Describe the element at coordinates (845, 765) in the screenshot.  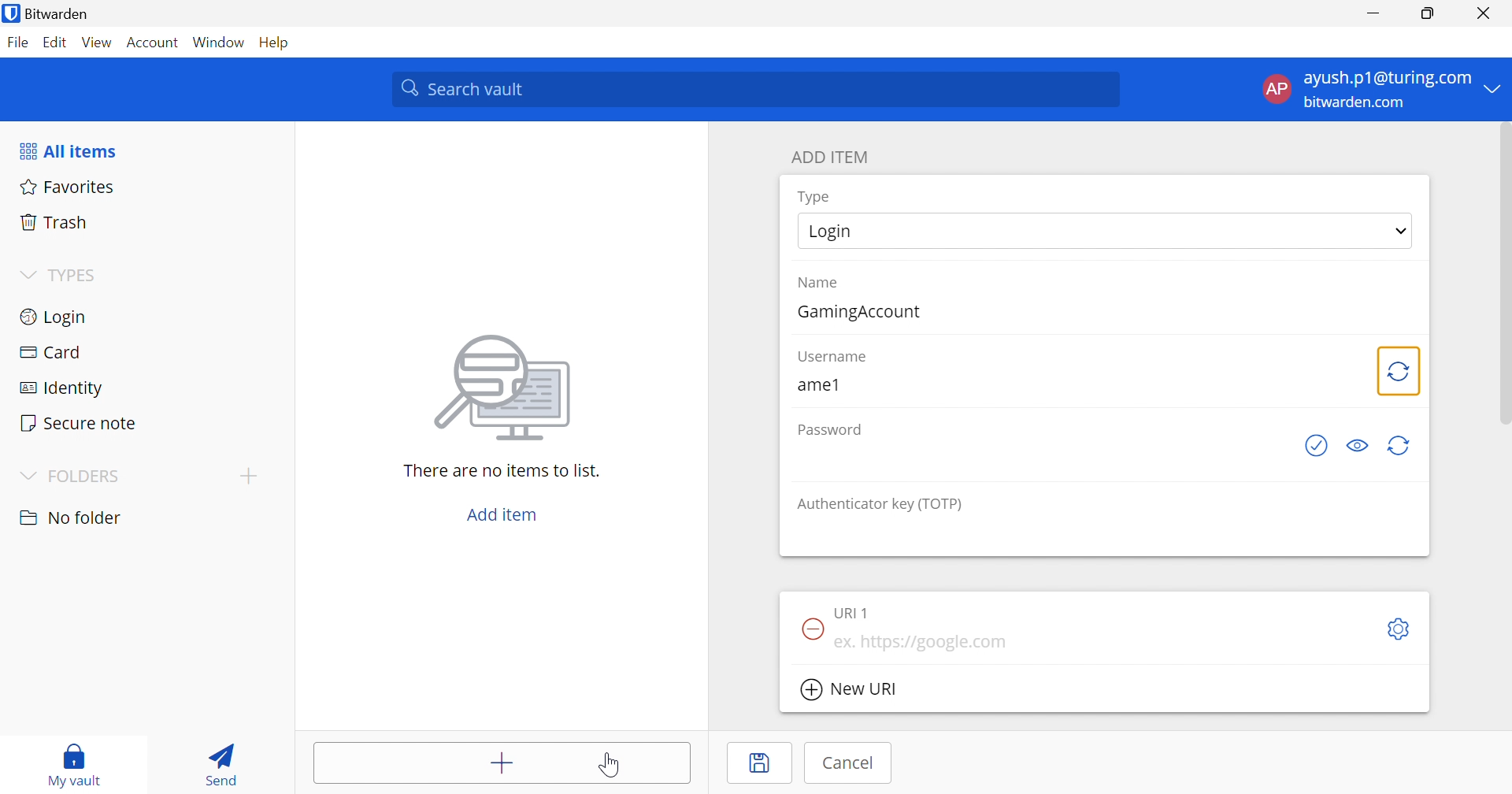
I see `Cancel` at that location.